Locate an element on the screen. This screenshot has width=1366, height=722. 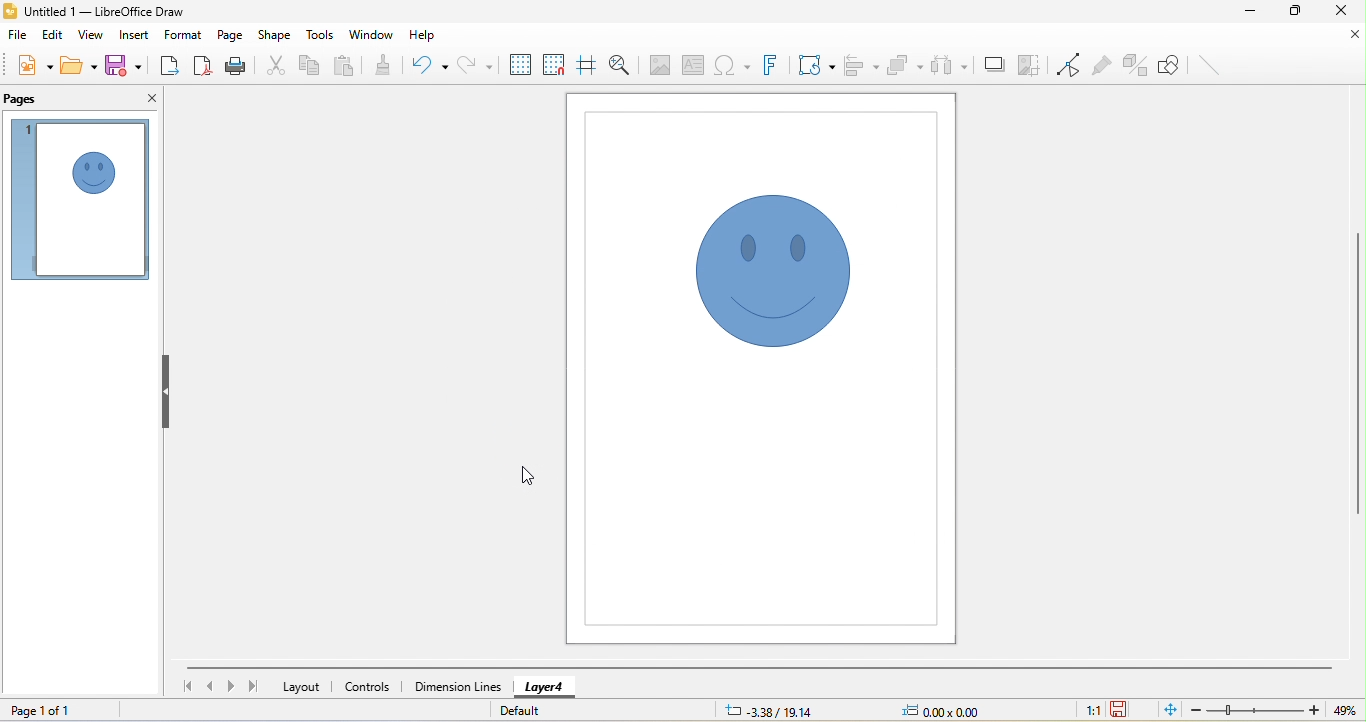
minimize is located at coordinates (1257, 13).